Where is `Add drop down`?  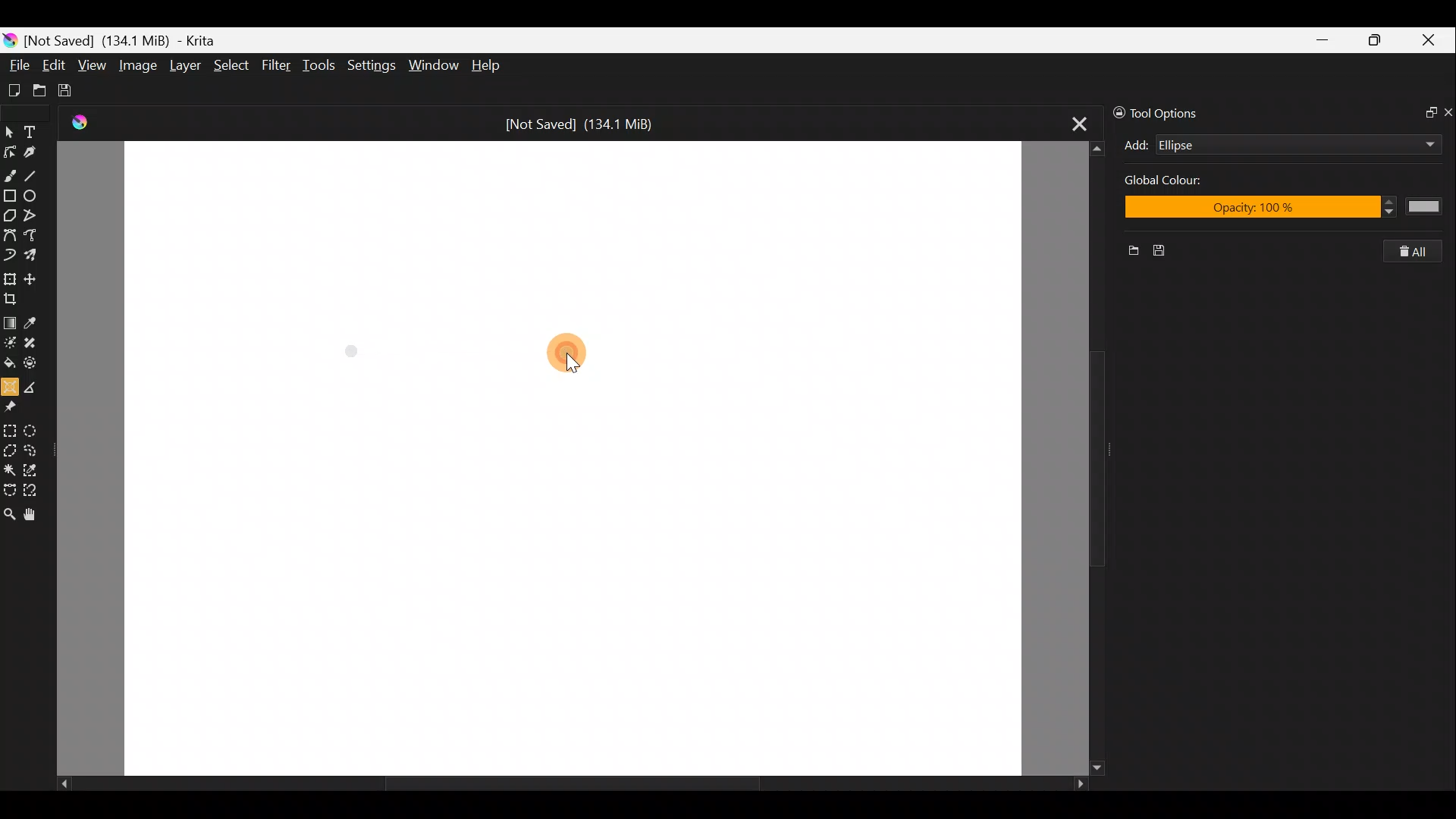 Add drop down is located at coordinates (1416, 142).